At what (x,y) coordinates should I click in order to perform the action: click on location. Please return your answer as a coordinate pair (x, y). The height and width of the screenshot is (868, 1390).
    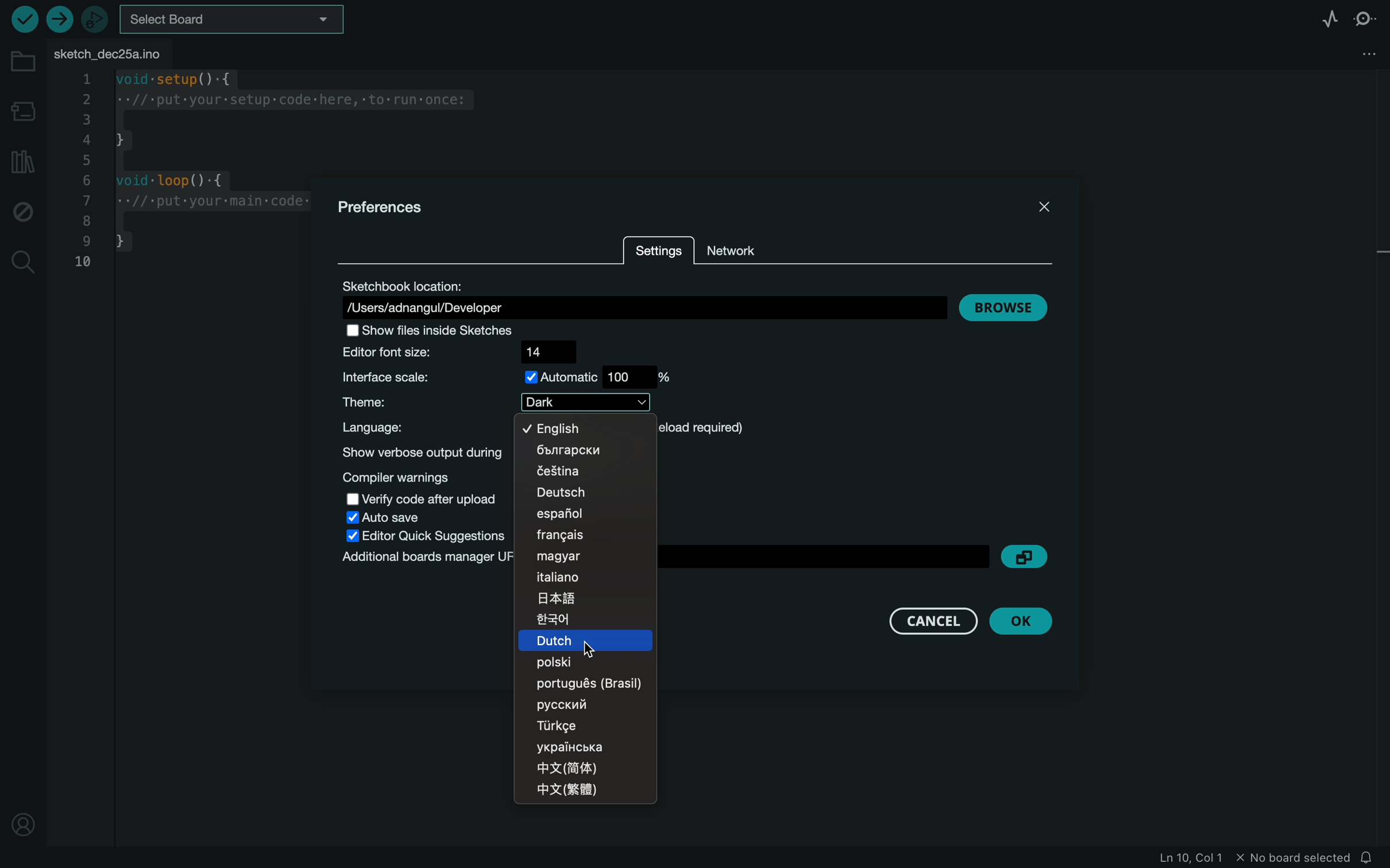
    Looking at the image, I should click on (646, 297).